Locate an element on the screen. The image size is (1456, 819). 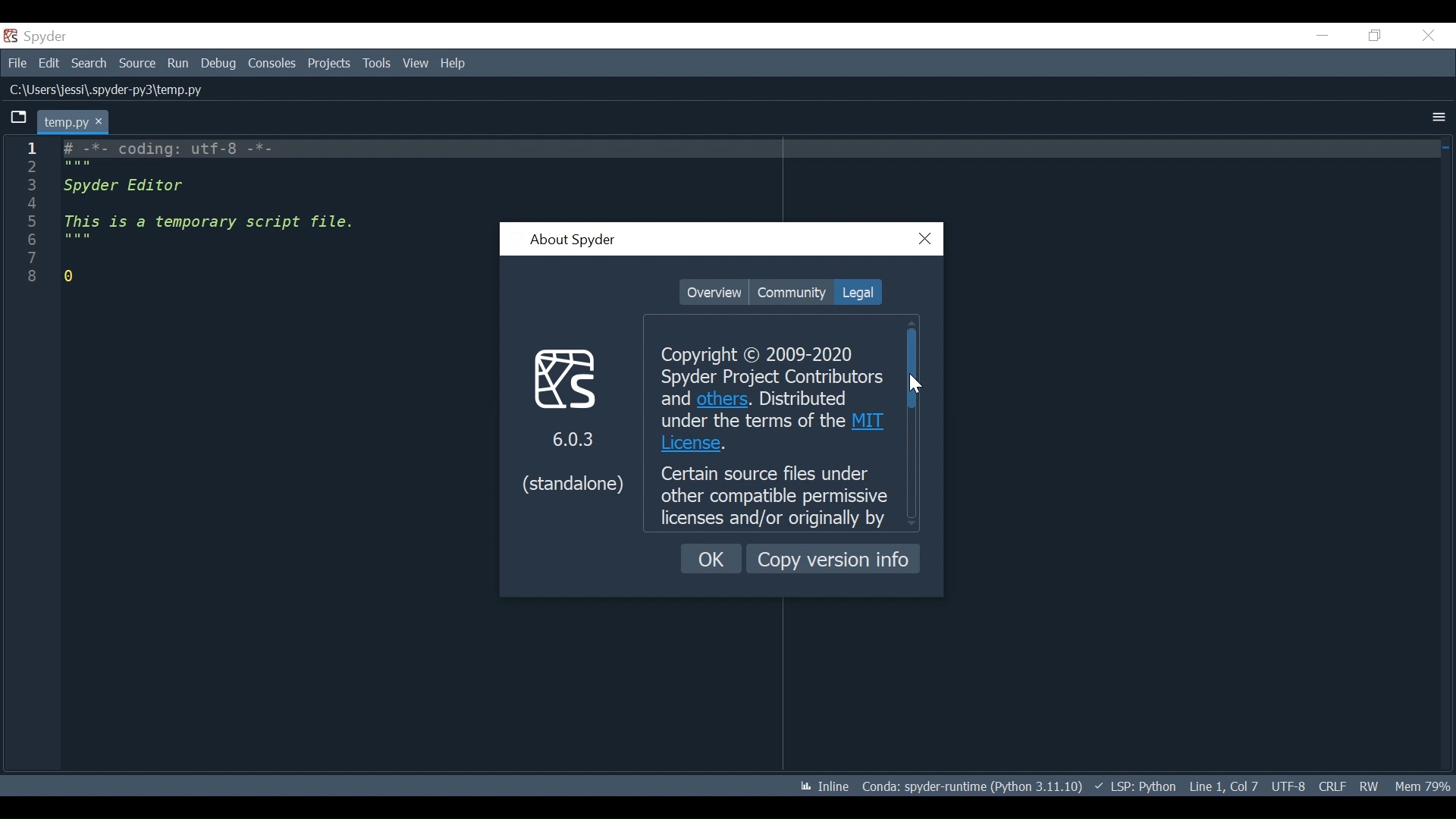
# -*- coding: utf-8 -*-

Spyder Editor

This is a temporary script file.
0 is located at coordinates (225, 218).